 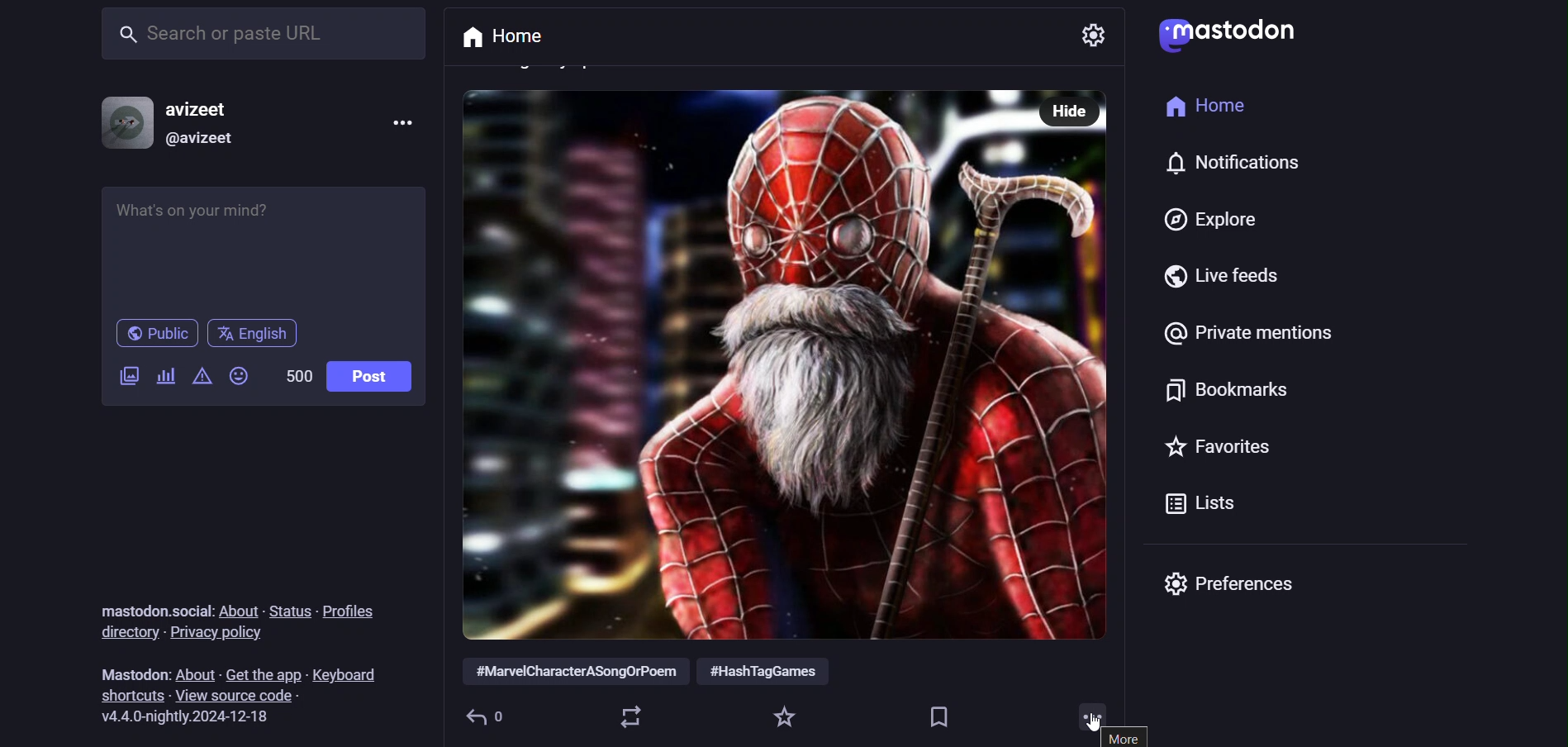 What do you see at coordinates (195, 671) in the screenshot?
I see `about` at bounding box center [195, 671].